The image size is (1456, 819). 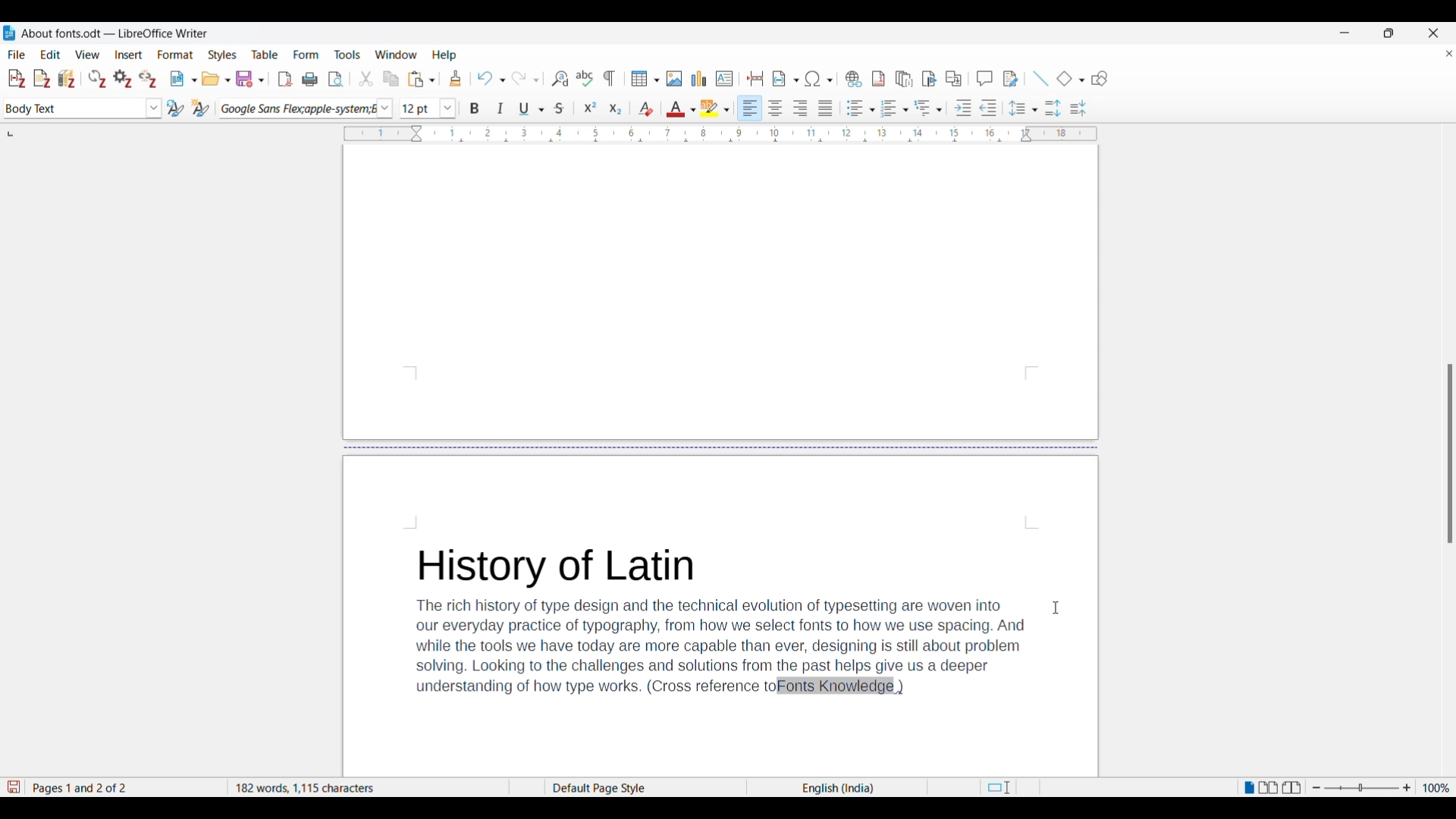 I want to click on Add/Edit bibliography, so click(x=67, y=79).